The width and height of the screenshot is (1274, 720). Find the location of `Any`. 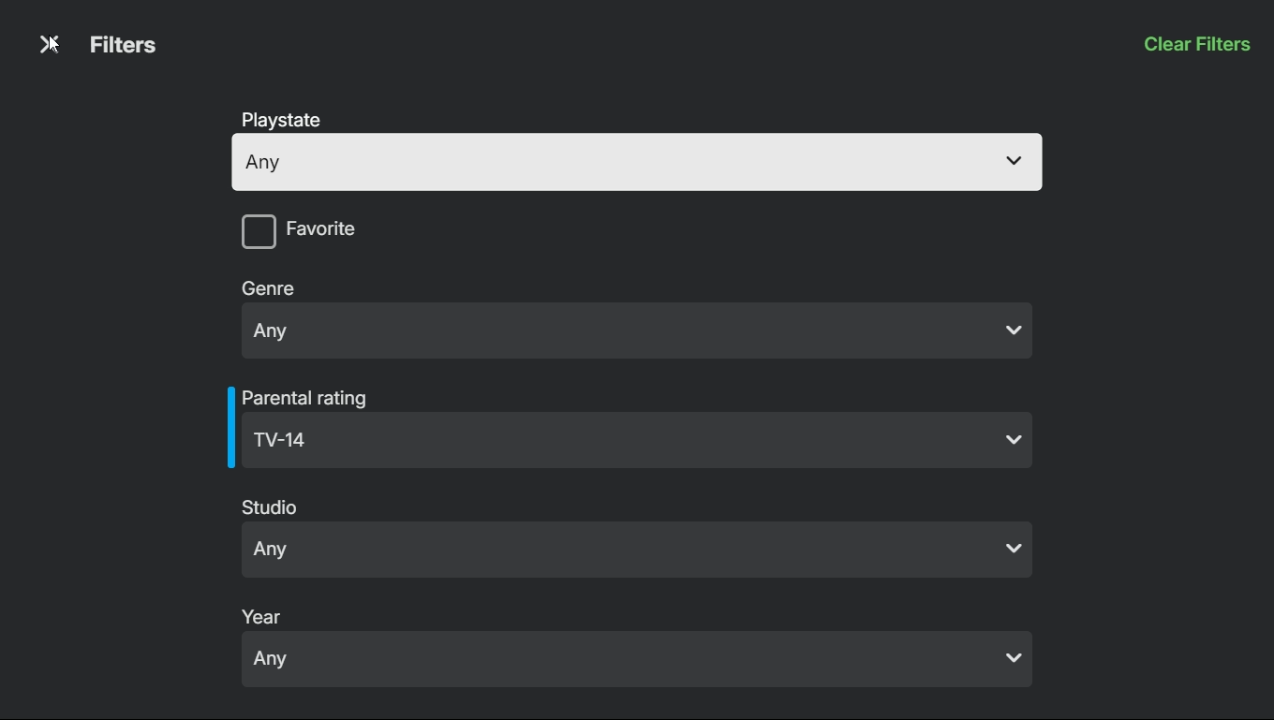

Any is located at coordinates (641, 551).